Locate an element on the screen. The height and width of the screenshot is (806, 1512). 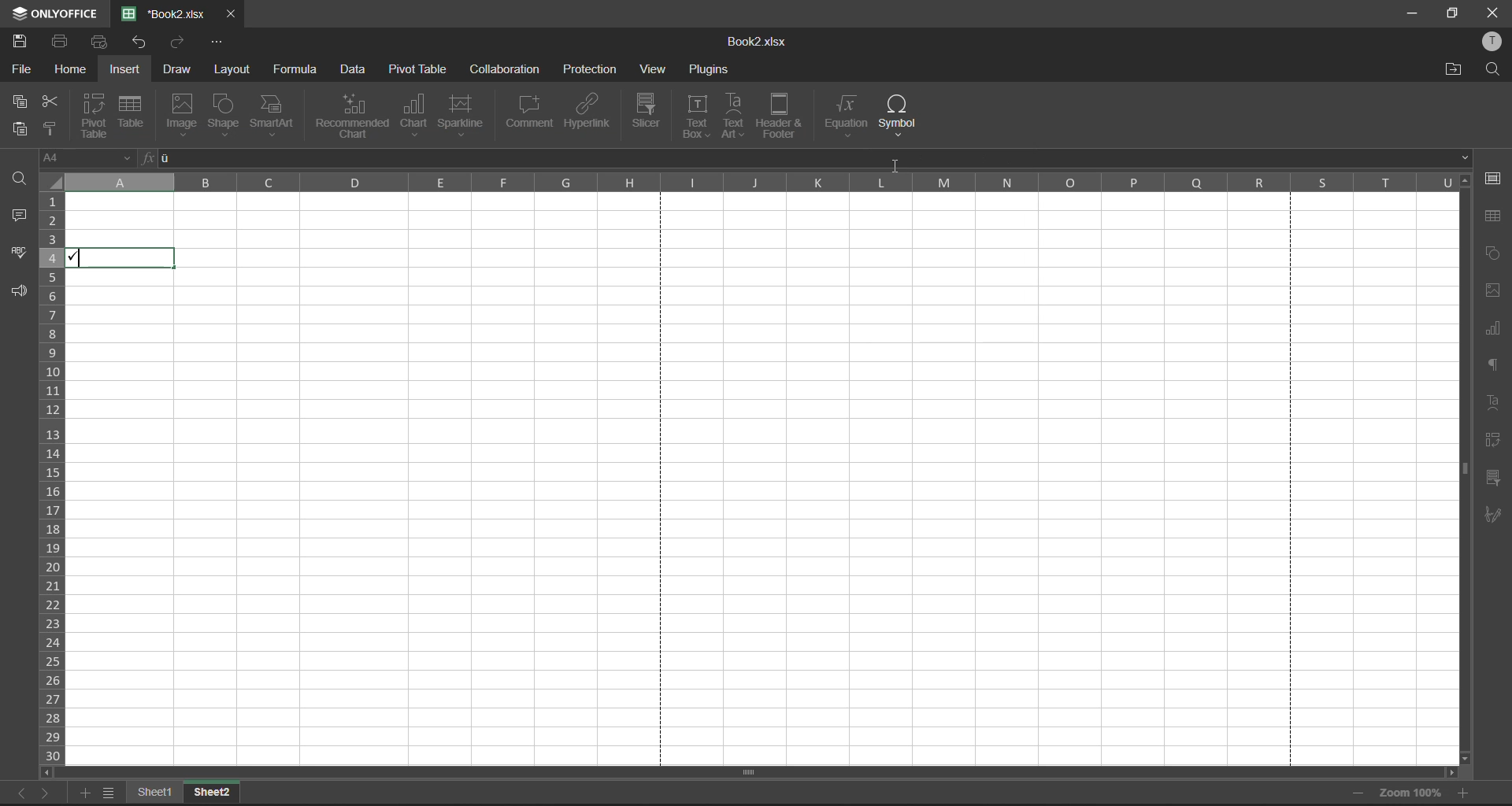
close is located at coordinates (230, 14).